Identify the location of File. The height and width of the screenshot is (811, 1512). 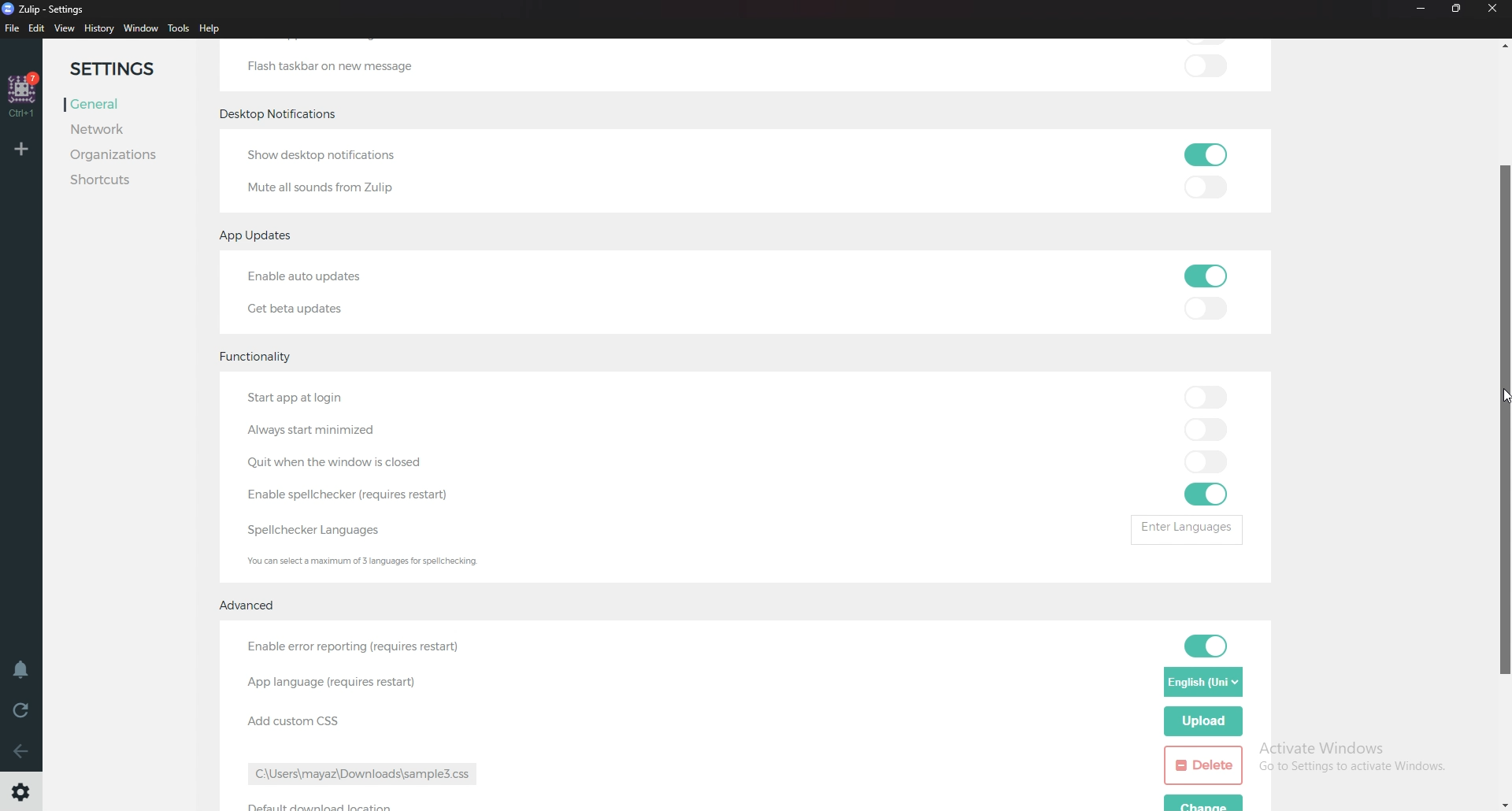
(13, 29).